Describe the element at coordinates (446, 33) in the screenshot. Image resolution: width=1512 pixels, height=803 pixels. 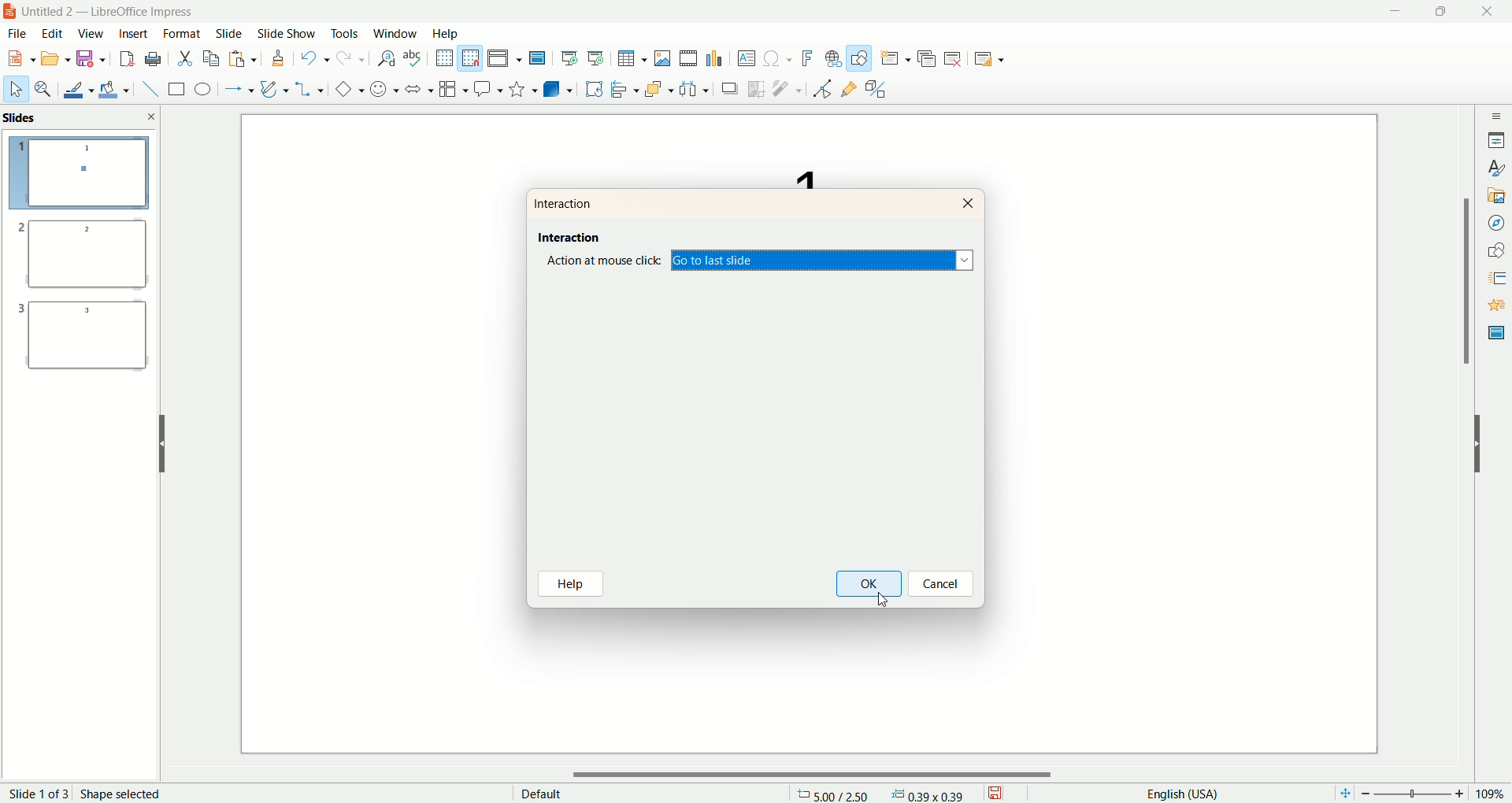
I see `help` at that location.